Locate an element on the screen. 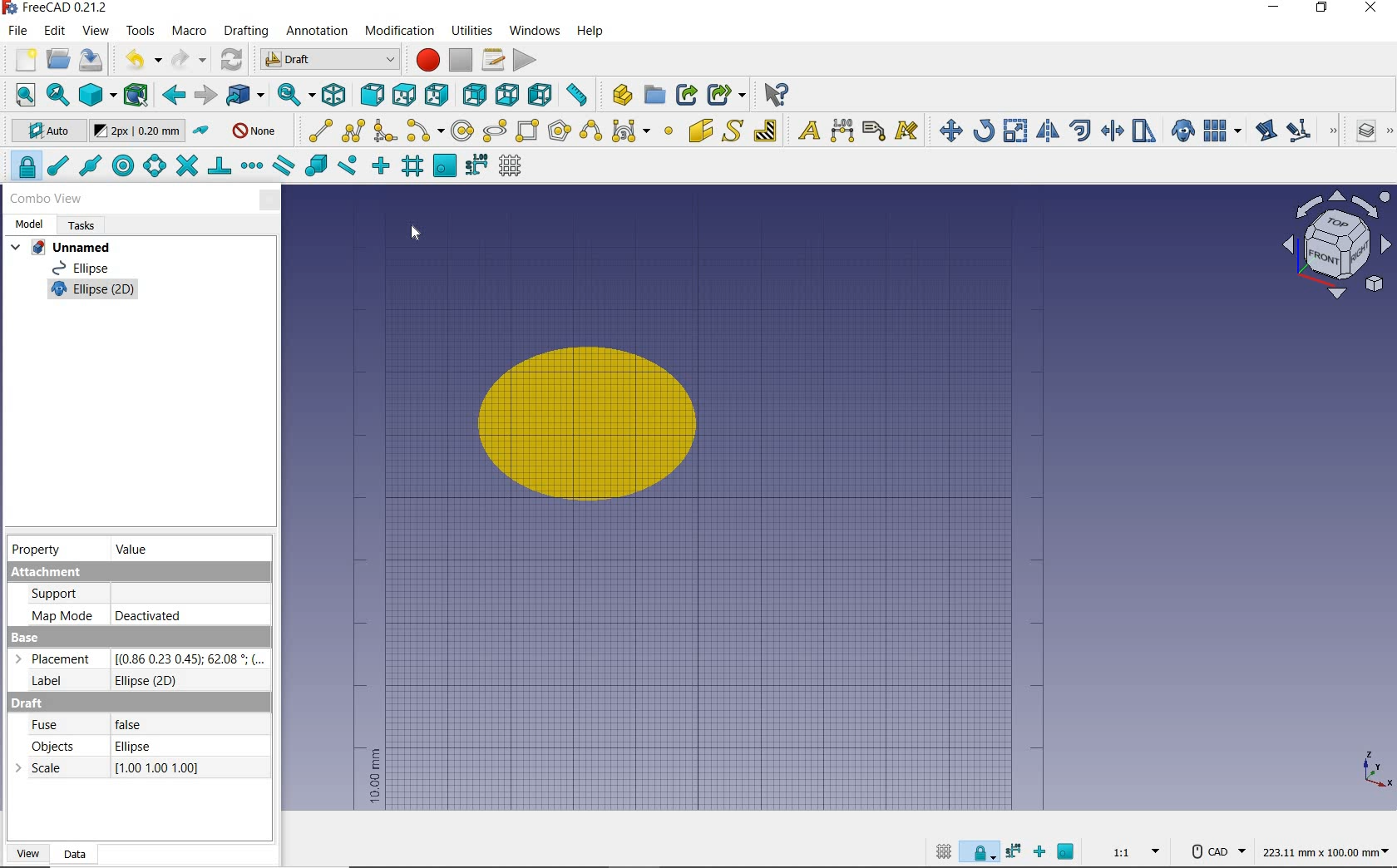  fit selection is located at coordinates (57, 95).